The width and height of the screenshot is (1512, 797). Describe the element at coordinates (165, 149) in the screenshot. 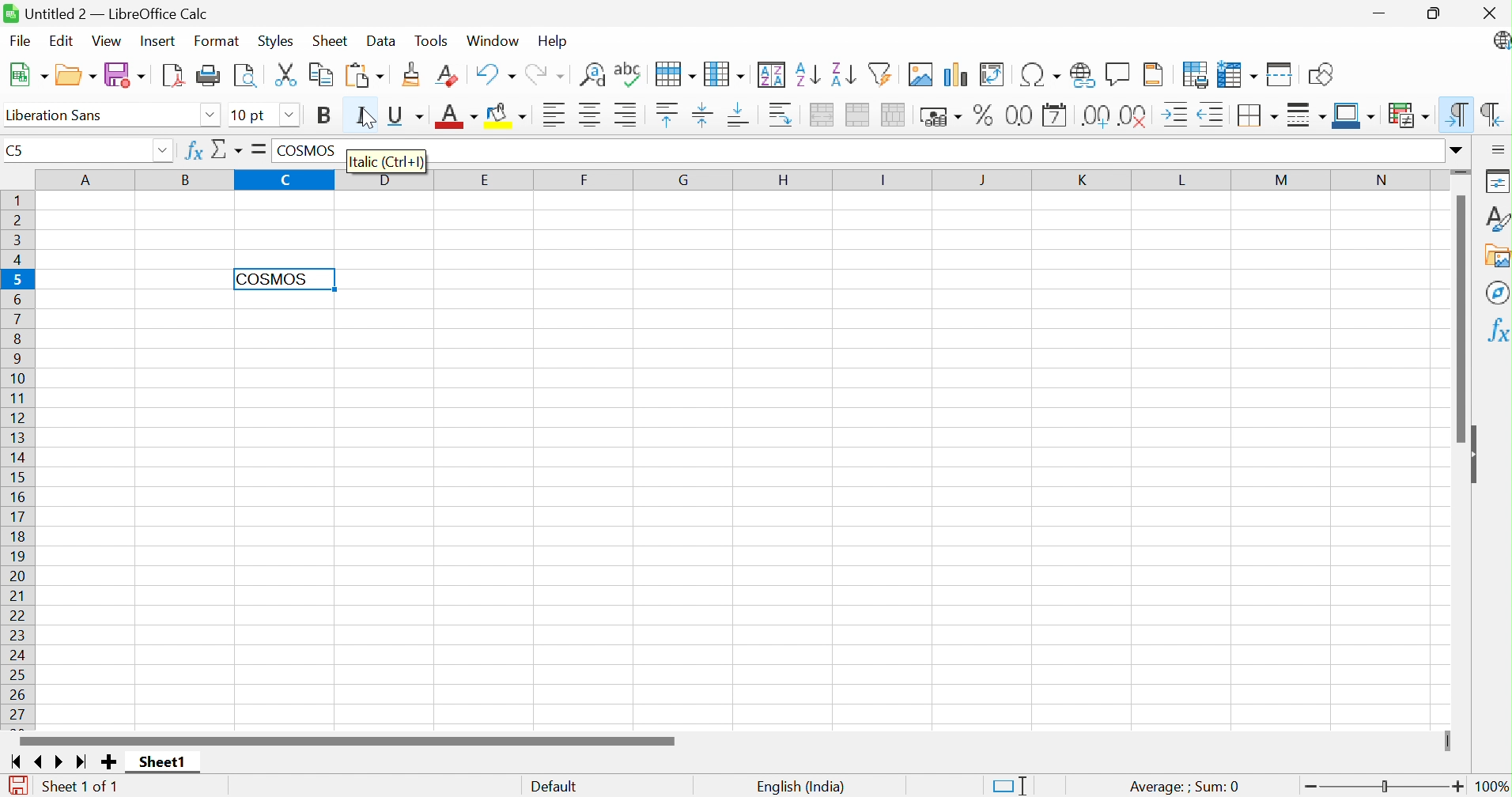

I see `Drop down` at that location.